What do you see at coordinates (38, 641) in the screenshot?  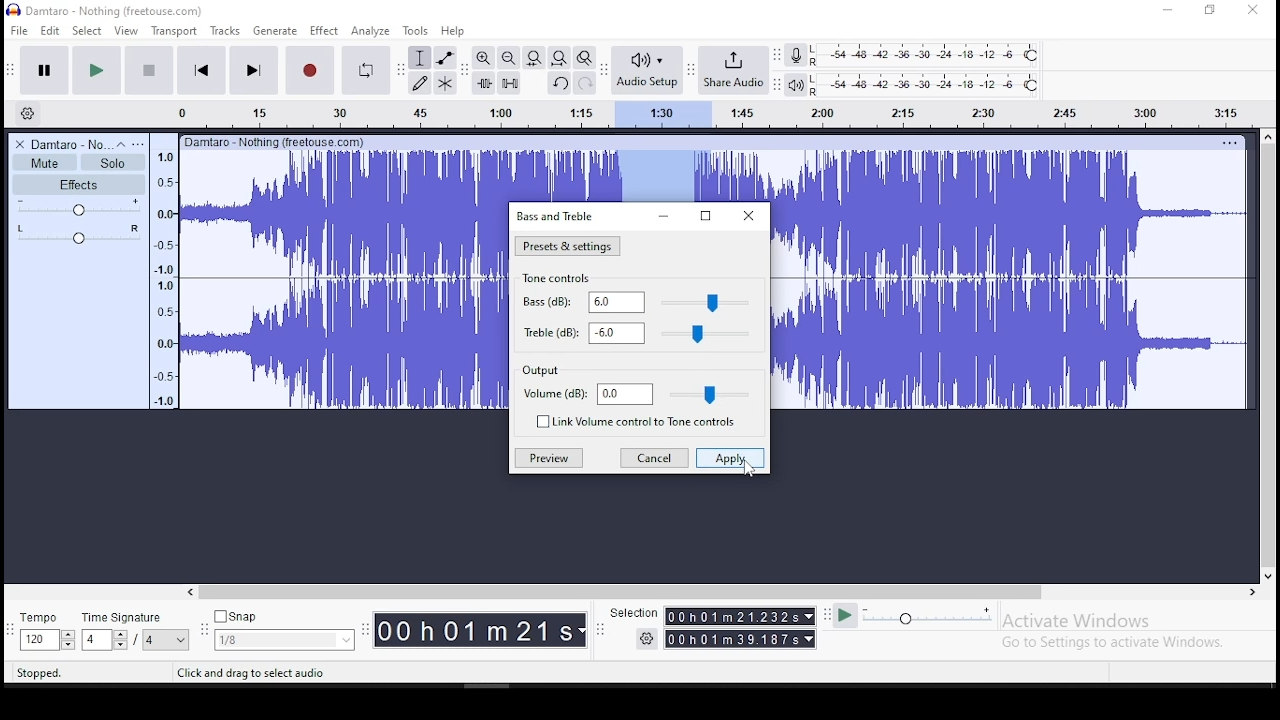 I see `120` at bounding box center [38, 641].